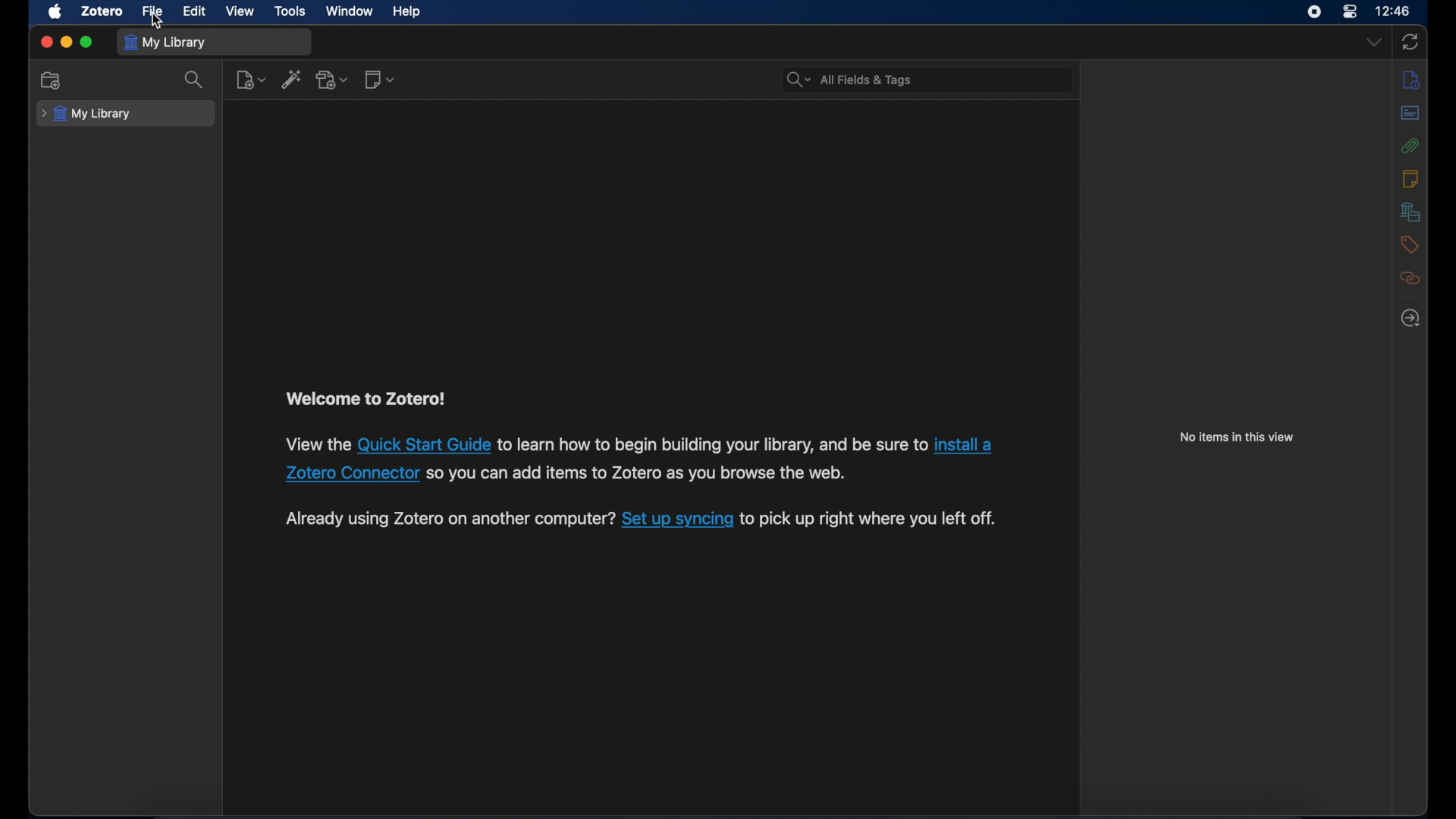 The image size is (1456, 819). Describe the element at coordinates (1410, 42) in the screenshot. I see `sync` at that location.